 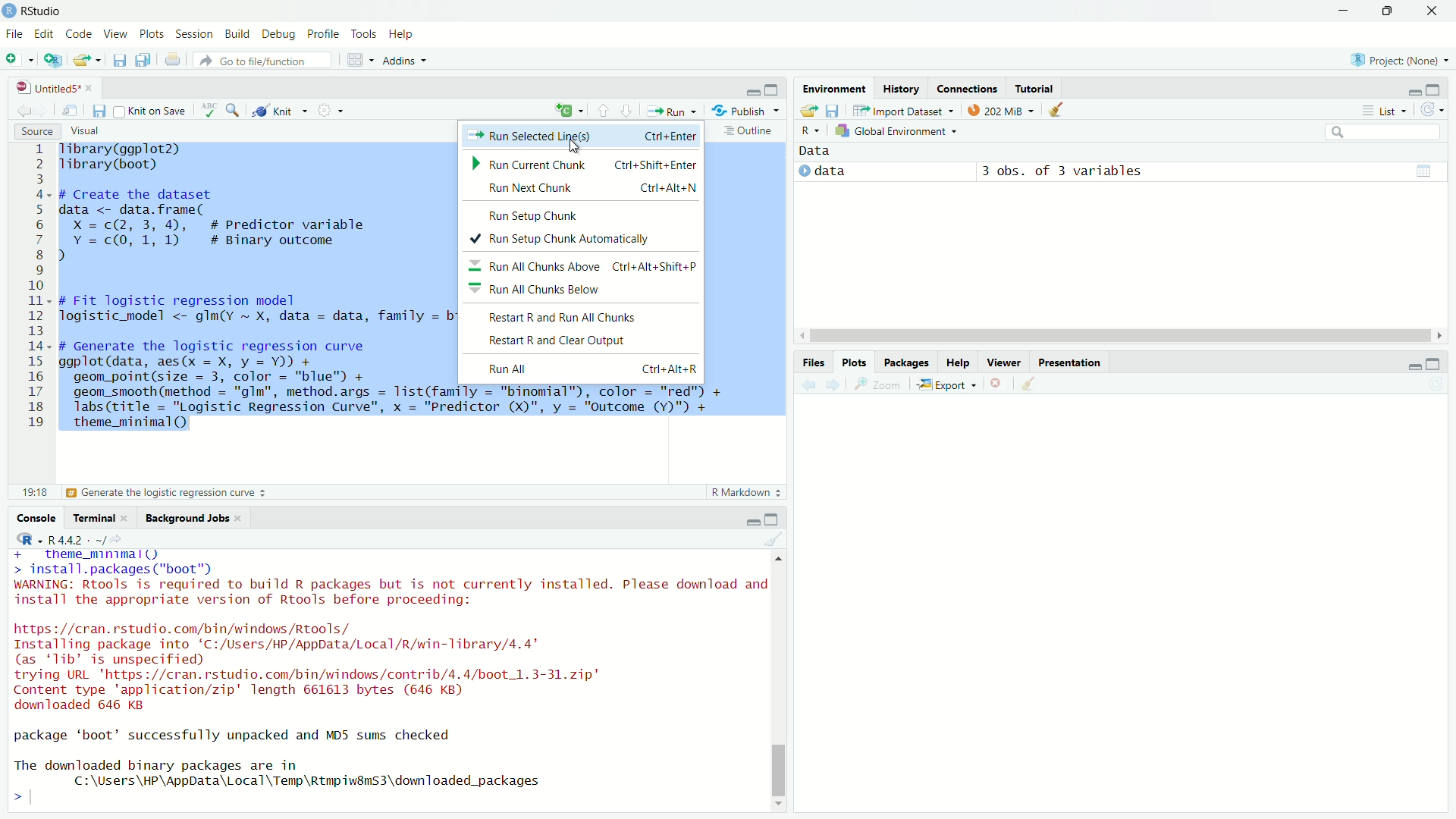 I want to click on Untitled5*, so click(x=47, y=88).